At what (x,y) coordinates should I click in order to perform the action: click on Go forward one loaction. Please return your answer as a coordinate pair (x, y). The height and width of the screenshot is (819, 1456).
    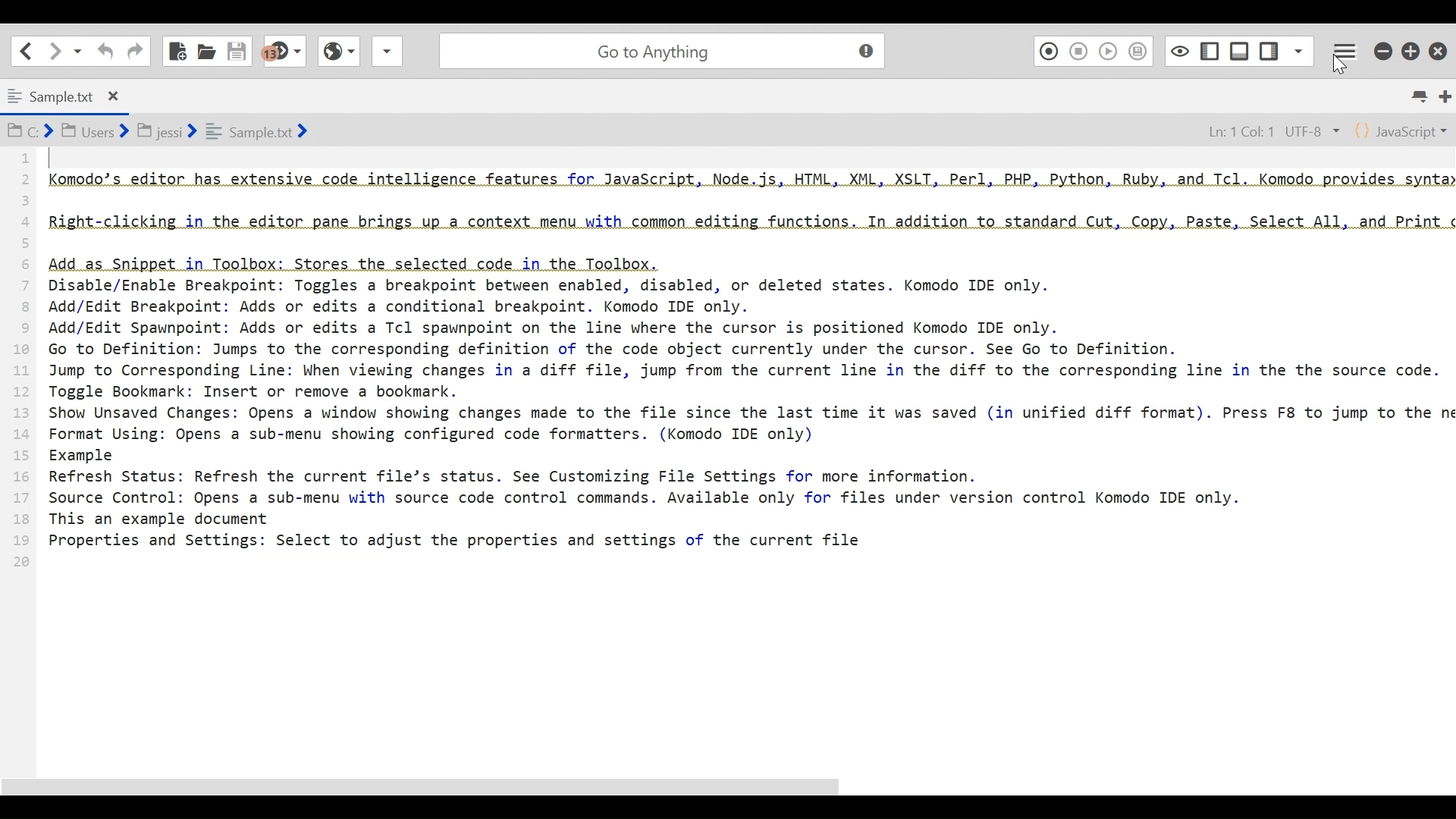
    Looking at the image, I should click on (54, 51).